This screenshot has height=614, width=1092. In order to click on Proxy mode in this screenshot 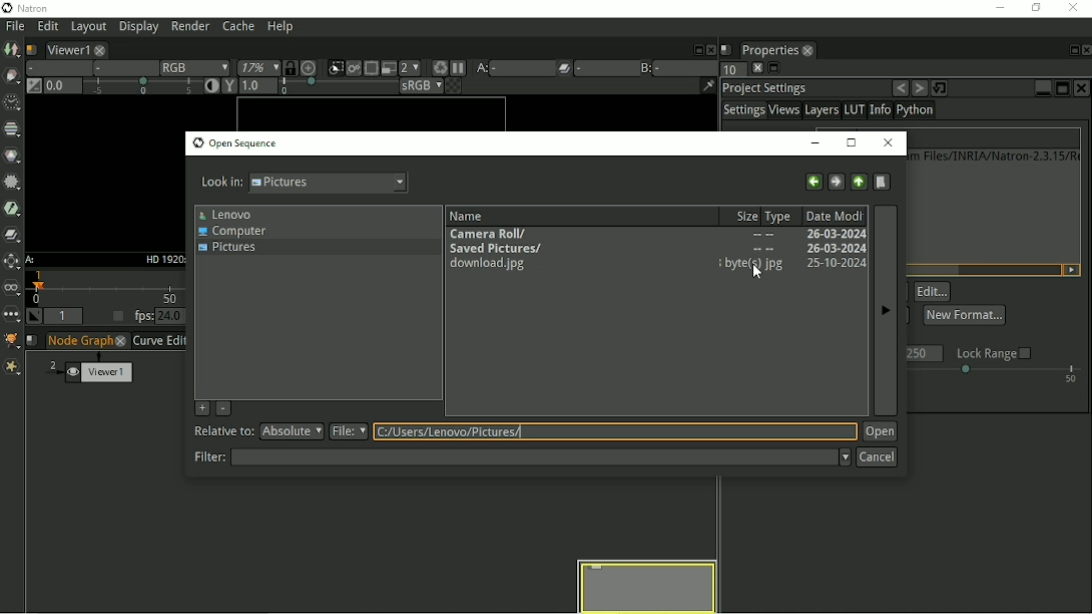, I will do `click(387, 67)`.